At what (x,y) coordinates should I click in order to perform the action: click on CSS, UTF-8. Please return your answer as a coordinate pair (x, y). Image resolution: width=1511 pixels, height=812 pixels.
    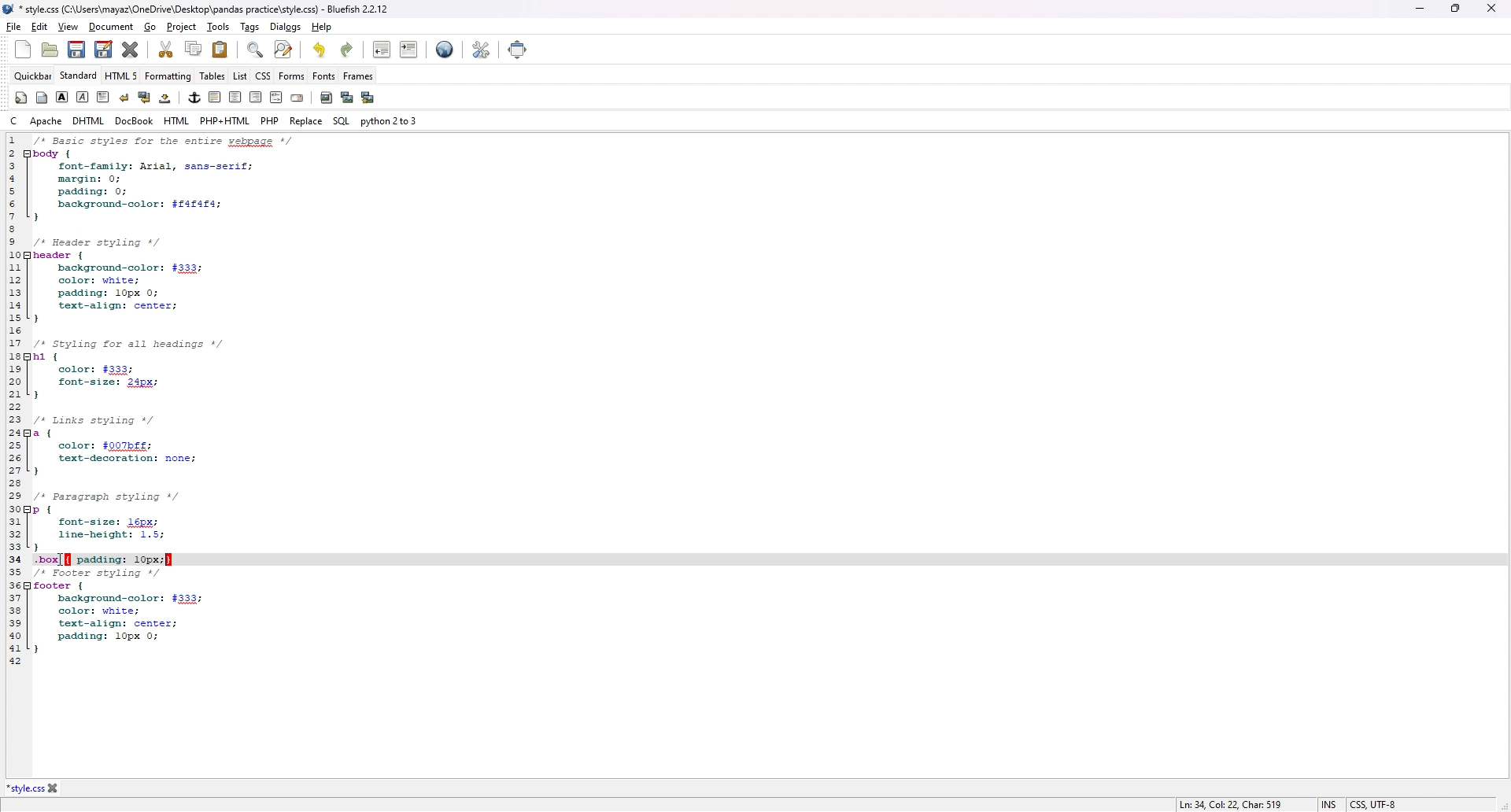
    Looking at the image, I should click on (1373, 803).